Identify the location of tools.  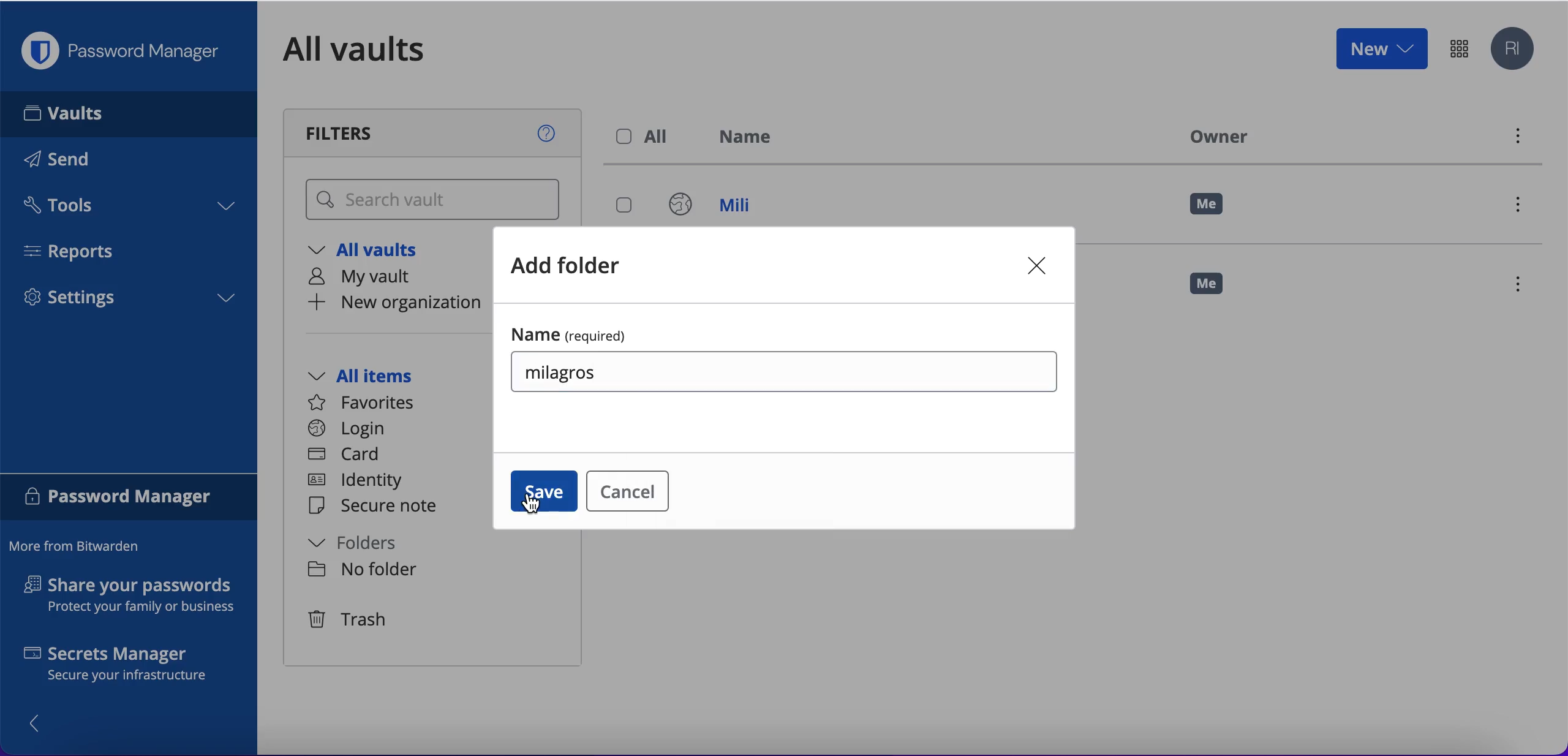
(127, 209).